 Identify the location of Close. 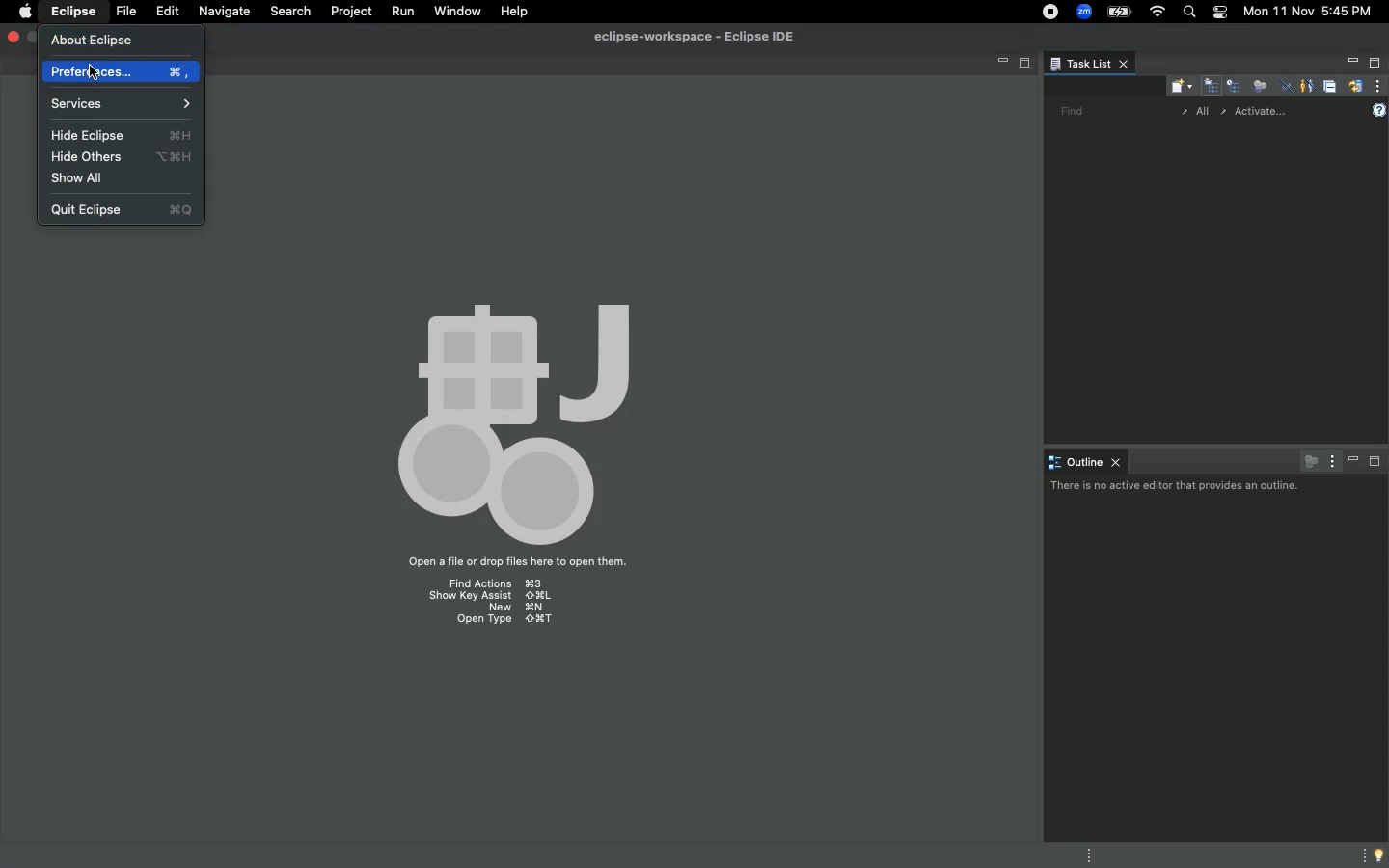
(13, 36).